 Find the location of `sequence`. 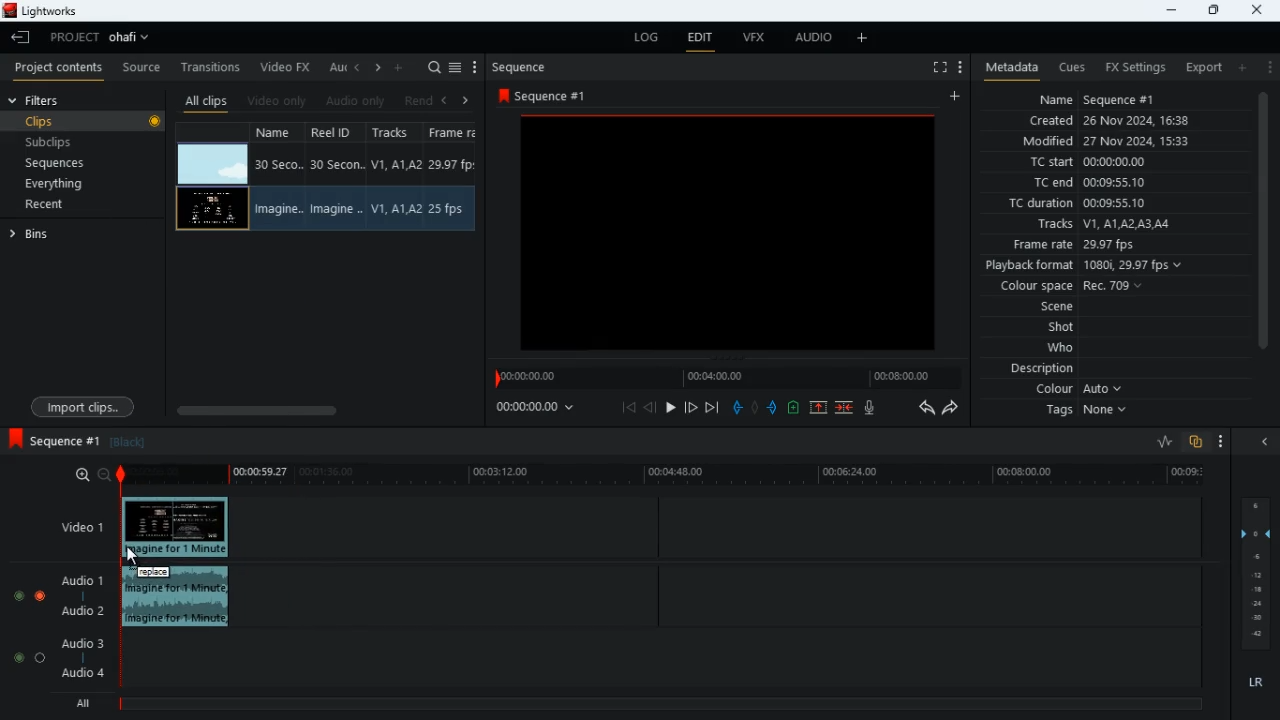

sequence is located at coordinates (55, 438).